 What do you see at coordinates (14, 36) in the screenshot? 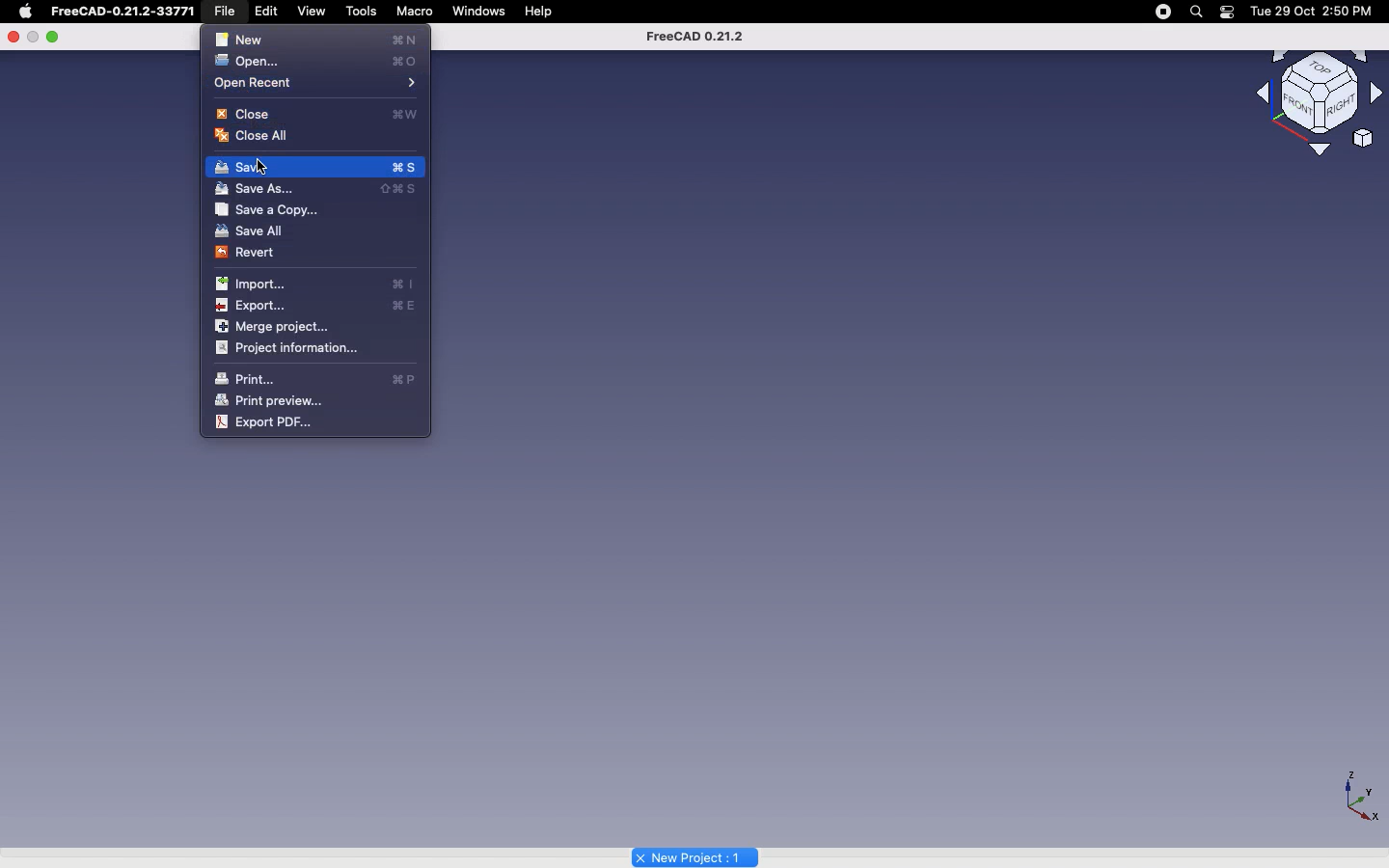
I see `Close` at bounding box center [14, 36].